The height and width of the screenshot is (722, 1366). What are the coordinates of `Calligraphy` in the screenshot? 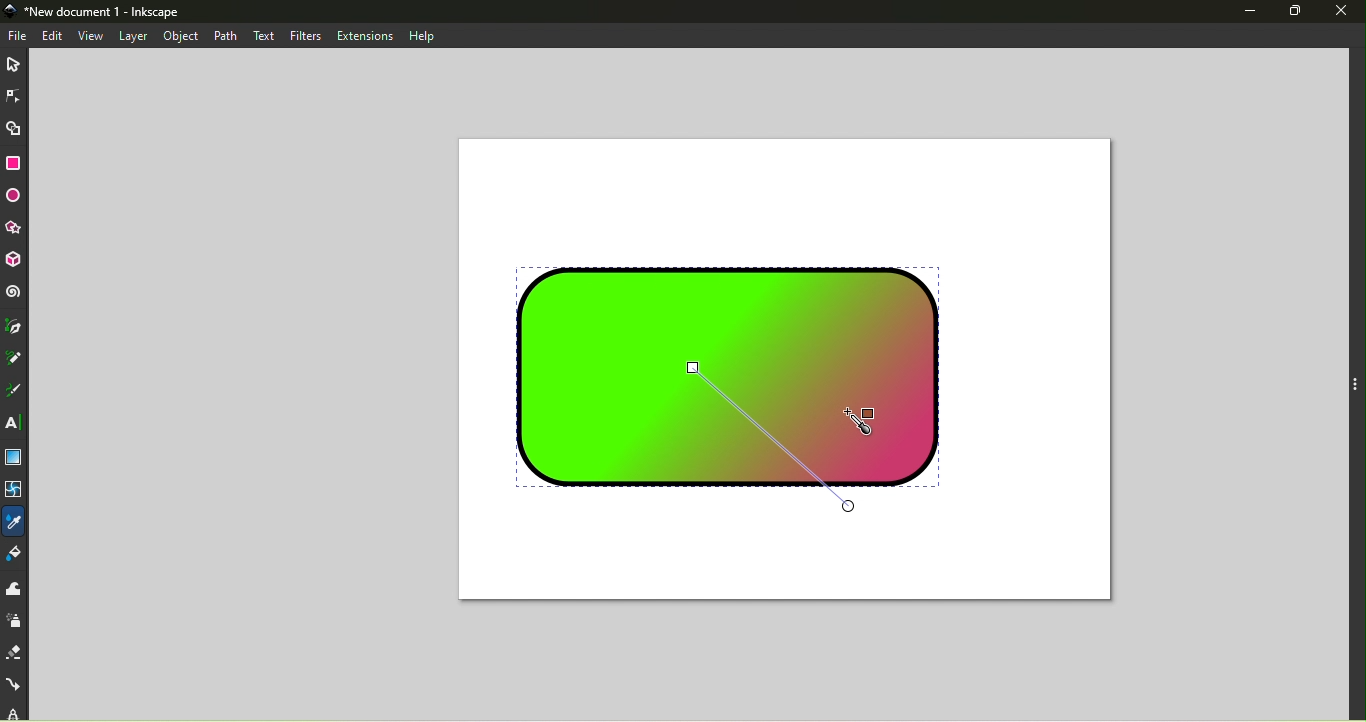 It's located at (18, 389).